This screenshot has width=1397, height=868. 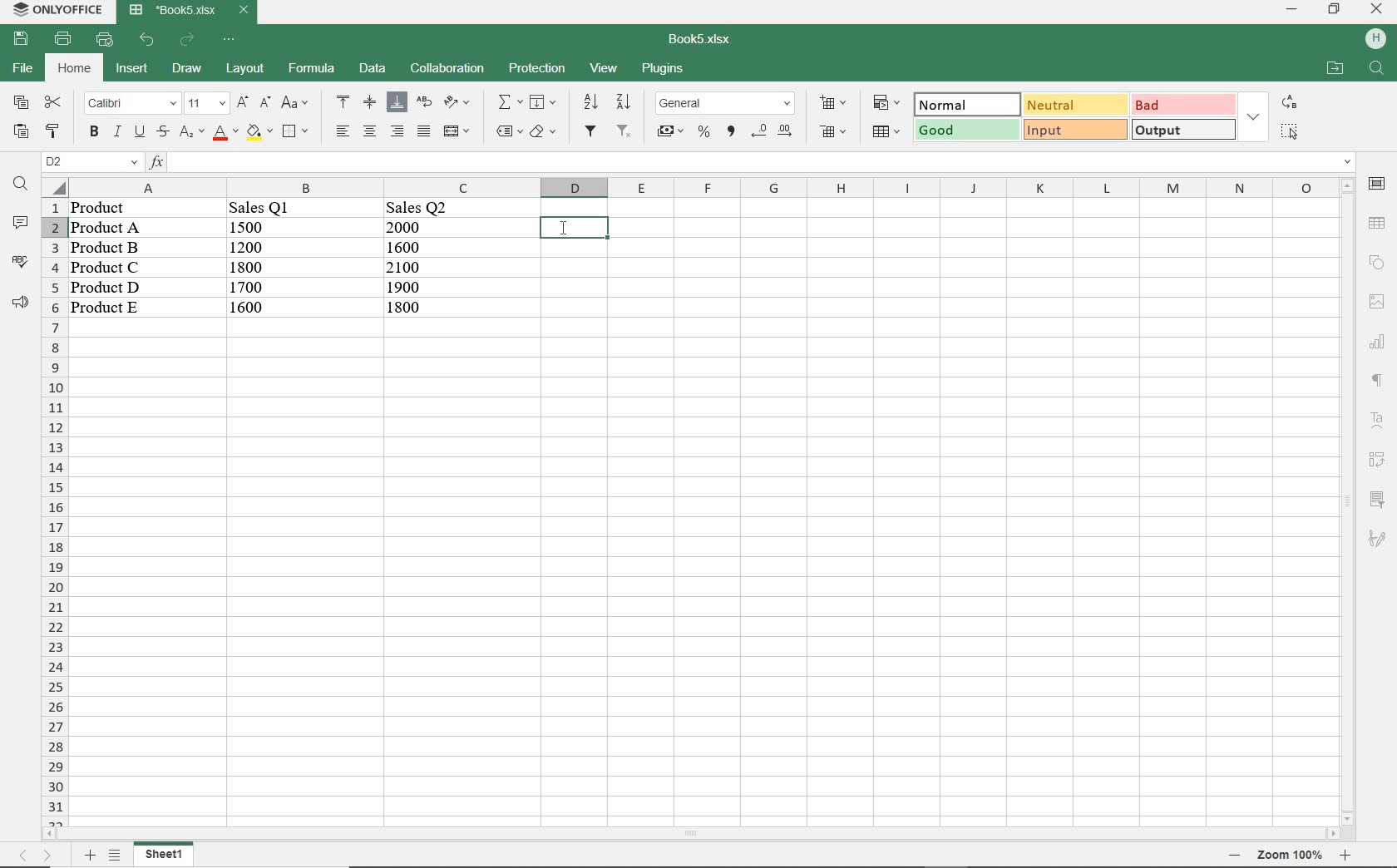 I want to click on bold, so click(x=93, y=133).